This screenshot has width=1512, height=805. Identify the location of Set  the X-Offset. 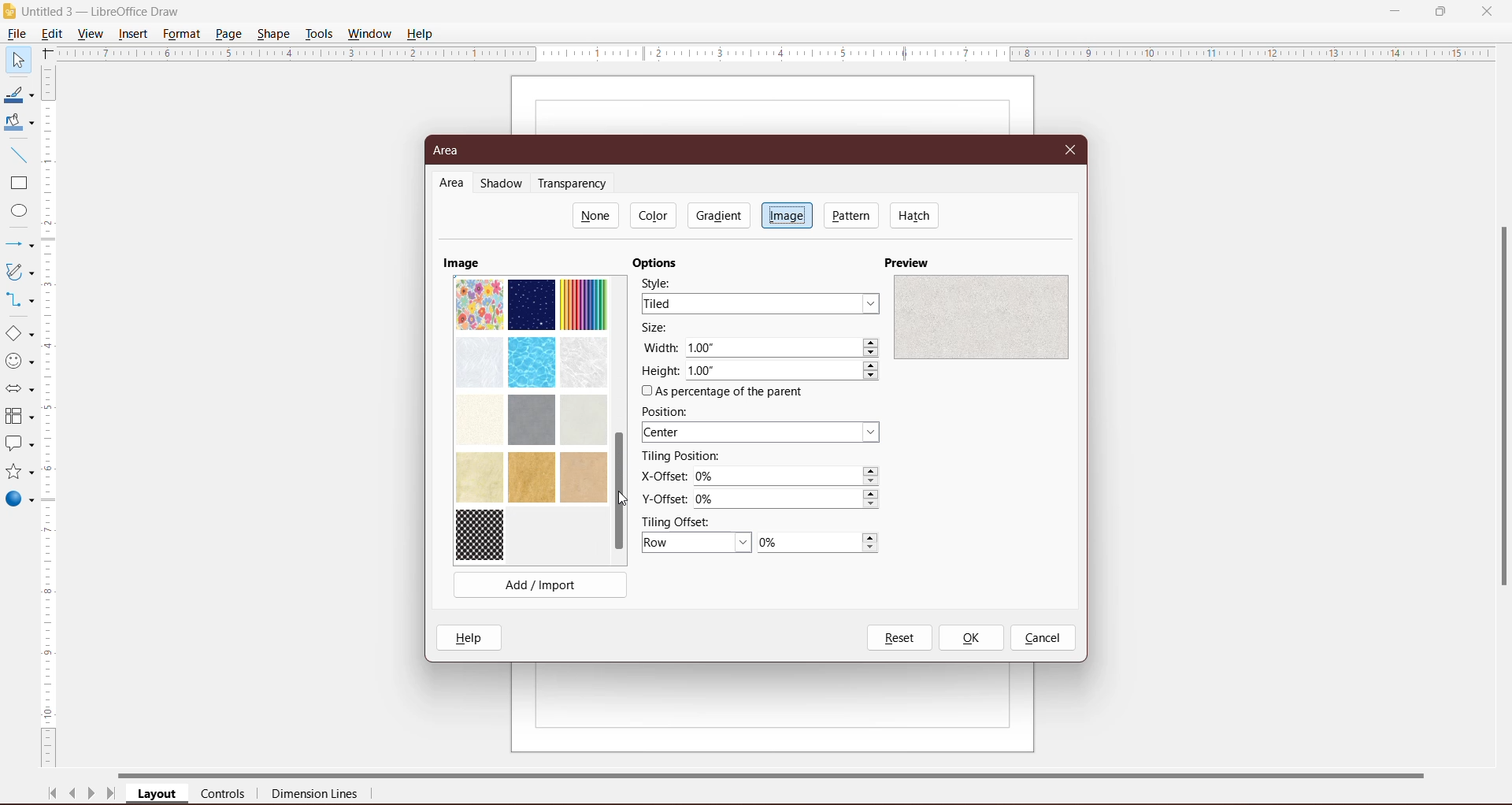
(788, 477).